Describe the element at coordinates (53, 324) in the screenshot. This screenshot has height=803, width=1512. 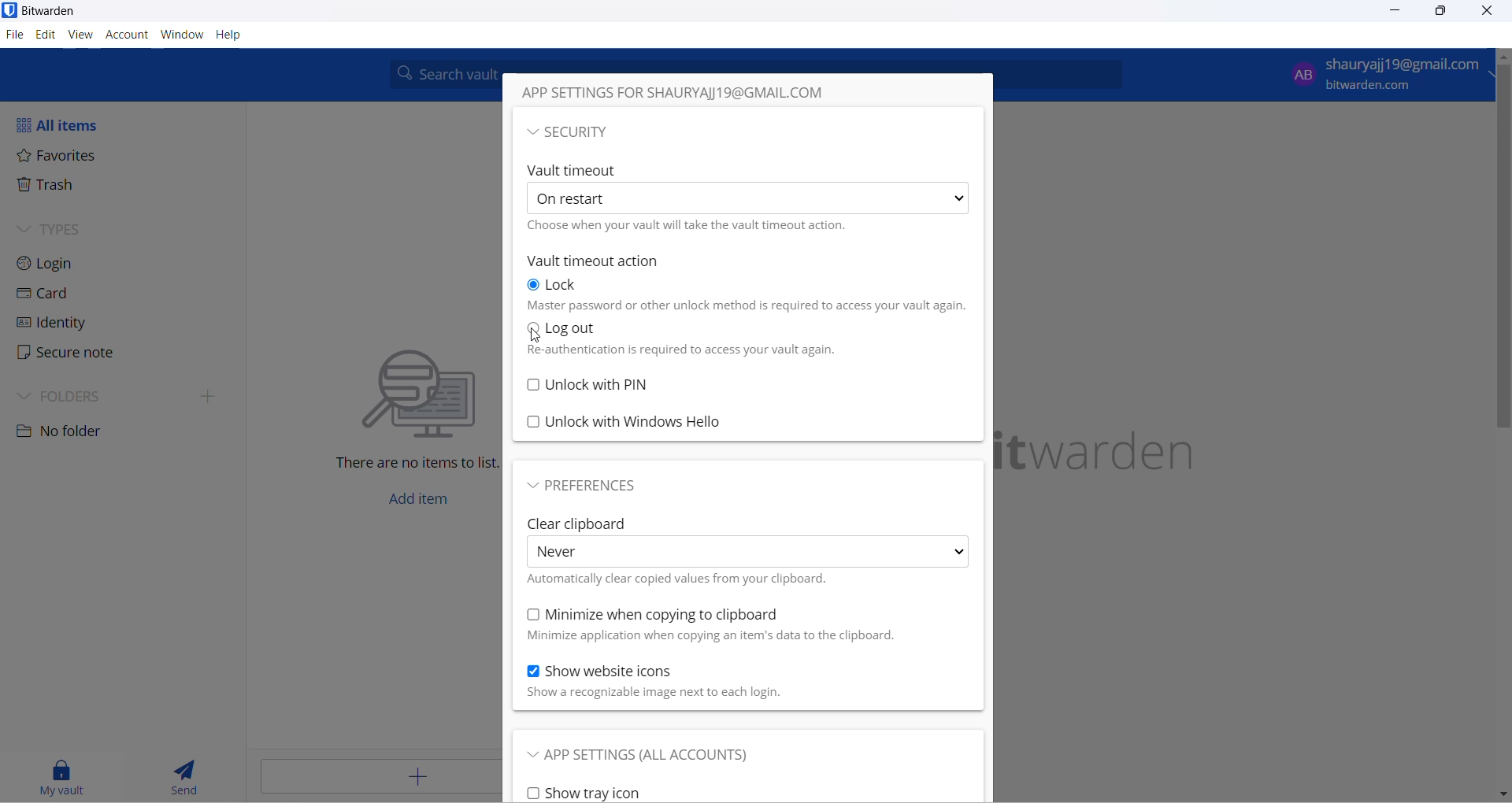
I see `identity` at that location.